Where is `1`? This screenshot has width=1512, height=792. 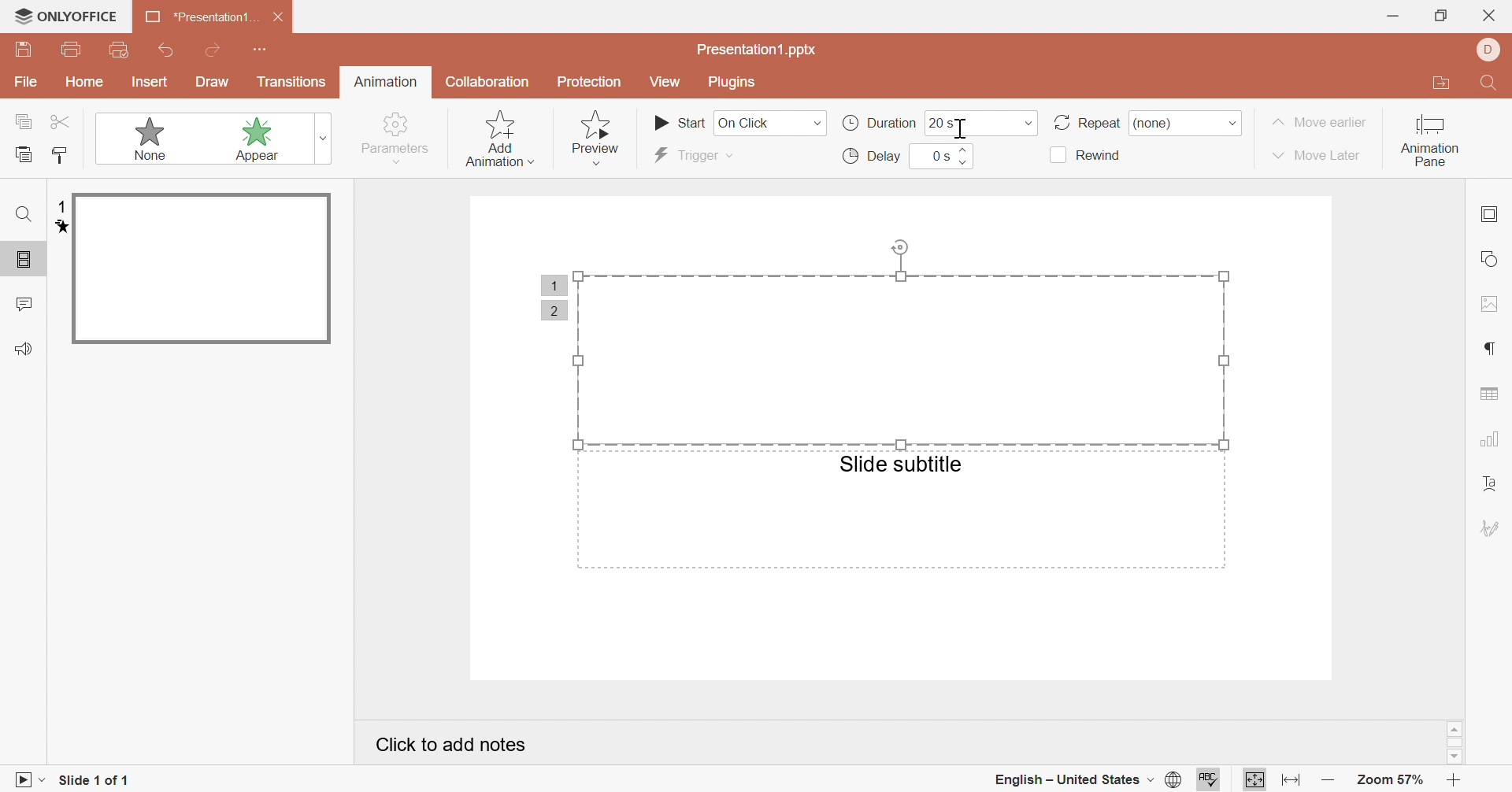
1 is located at coordinates (551, 284).